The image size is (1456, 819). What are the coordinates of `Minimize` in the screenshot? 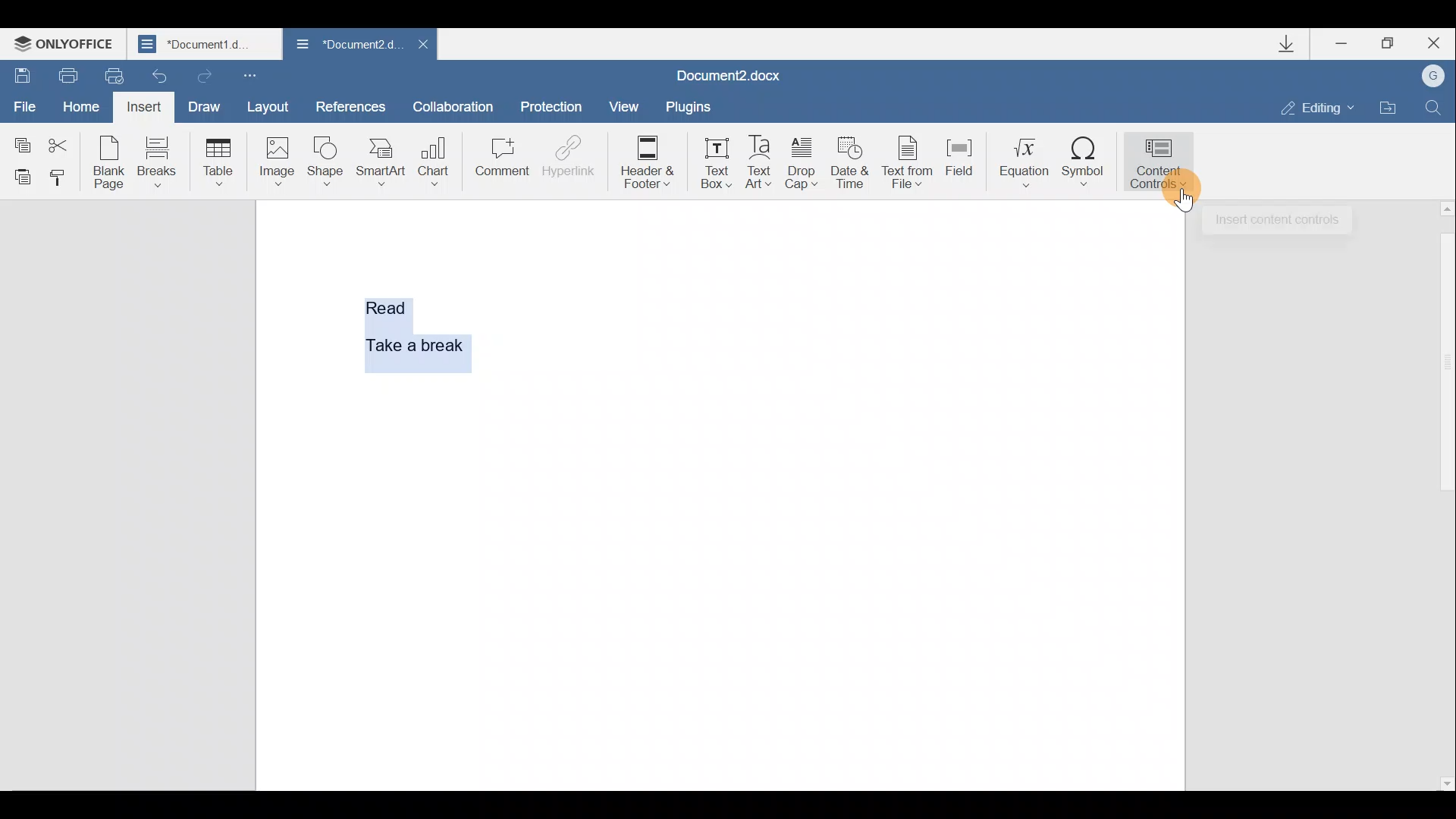 It's located at (1342, 45).